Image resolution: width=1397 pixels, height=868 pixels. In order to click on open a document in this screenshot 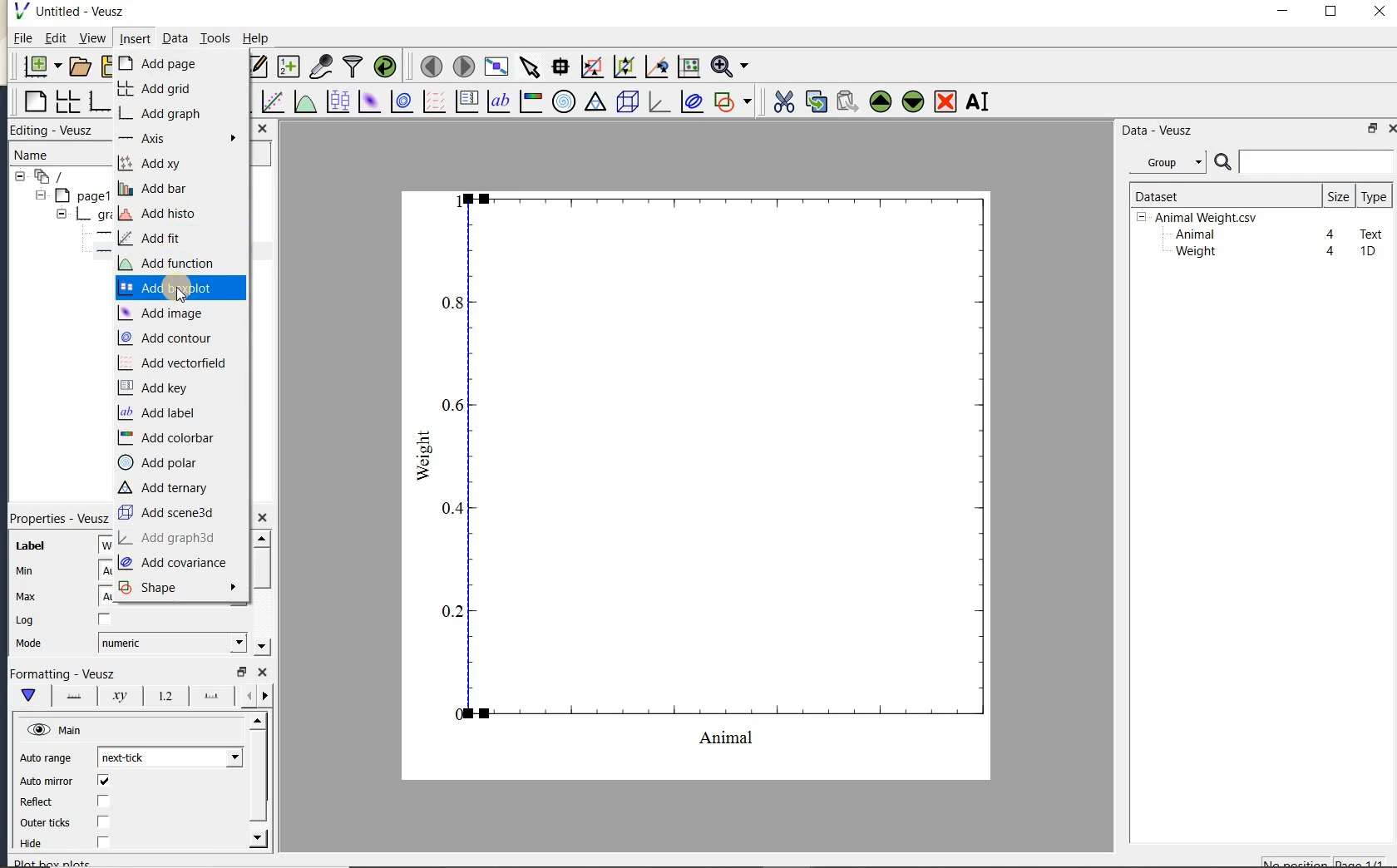, I will do `click(78, 67)`.